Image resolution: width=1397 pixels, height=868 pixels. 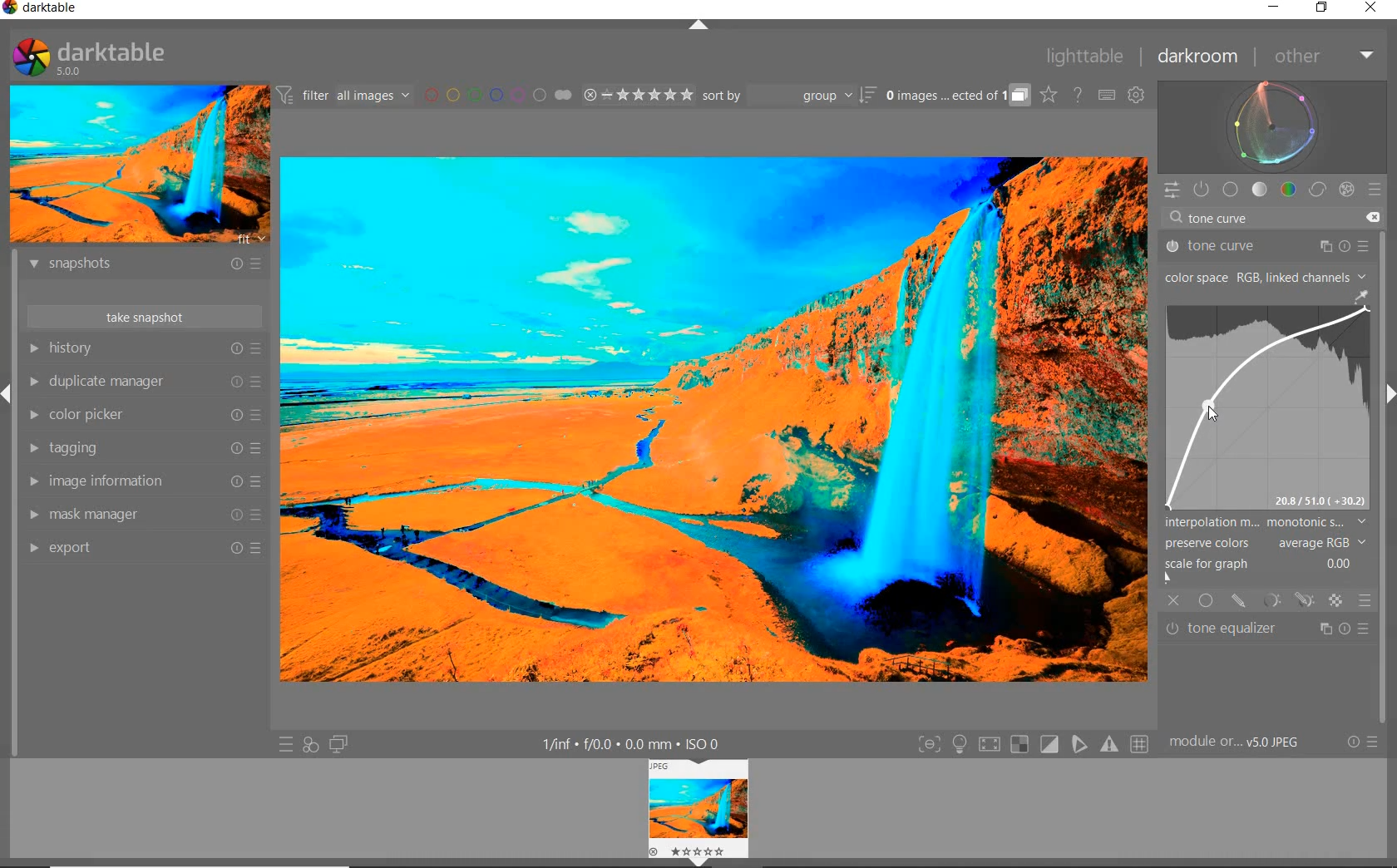 I want to click on COLOR SPACE, so click(x=1266, y=276).